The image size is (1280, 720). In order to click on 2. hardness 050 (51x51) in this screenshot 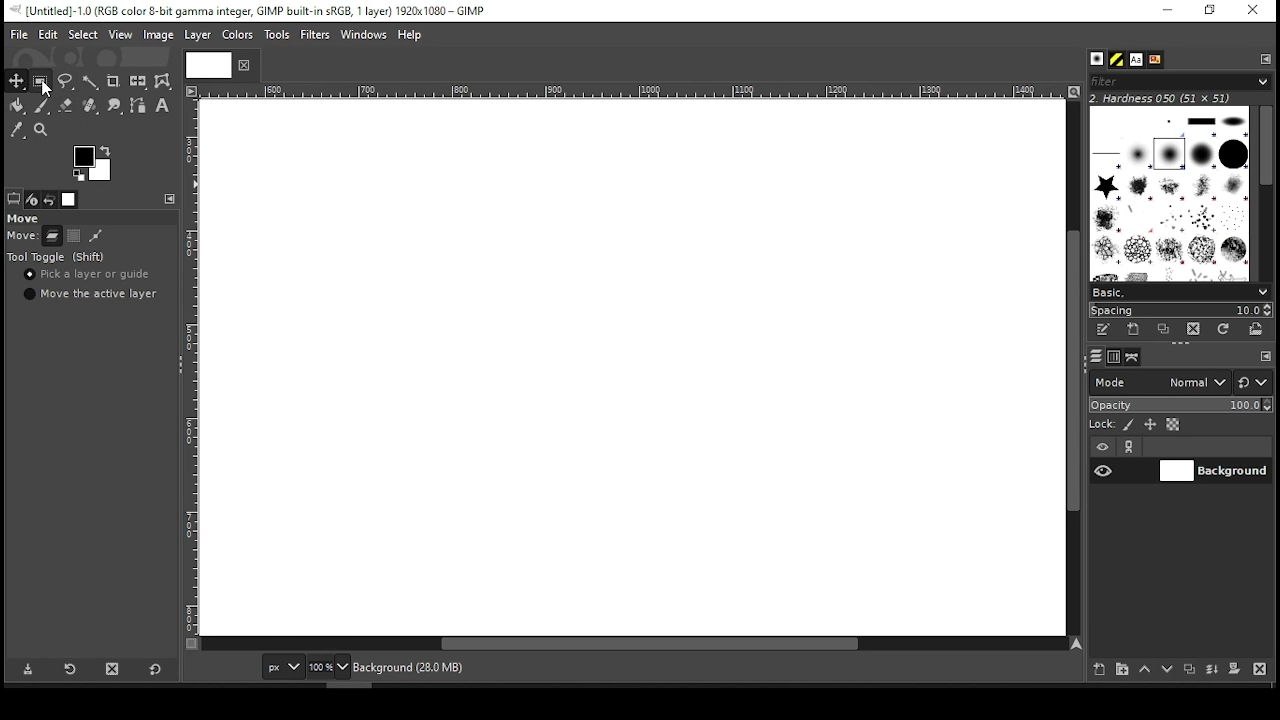, I will do `click(1166, 98)`.